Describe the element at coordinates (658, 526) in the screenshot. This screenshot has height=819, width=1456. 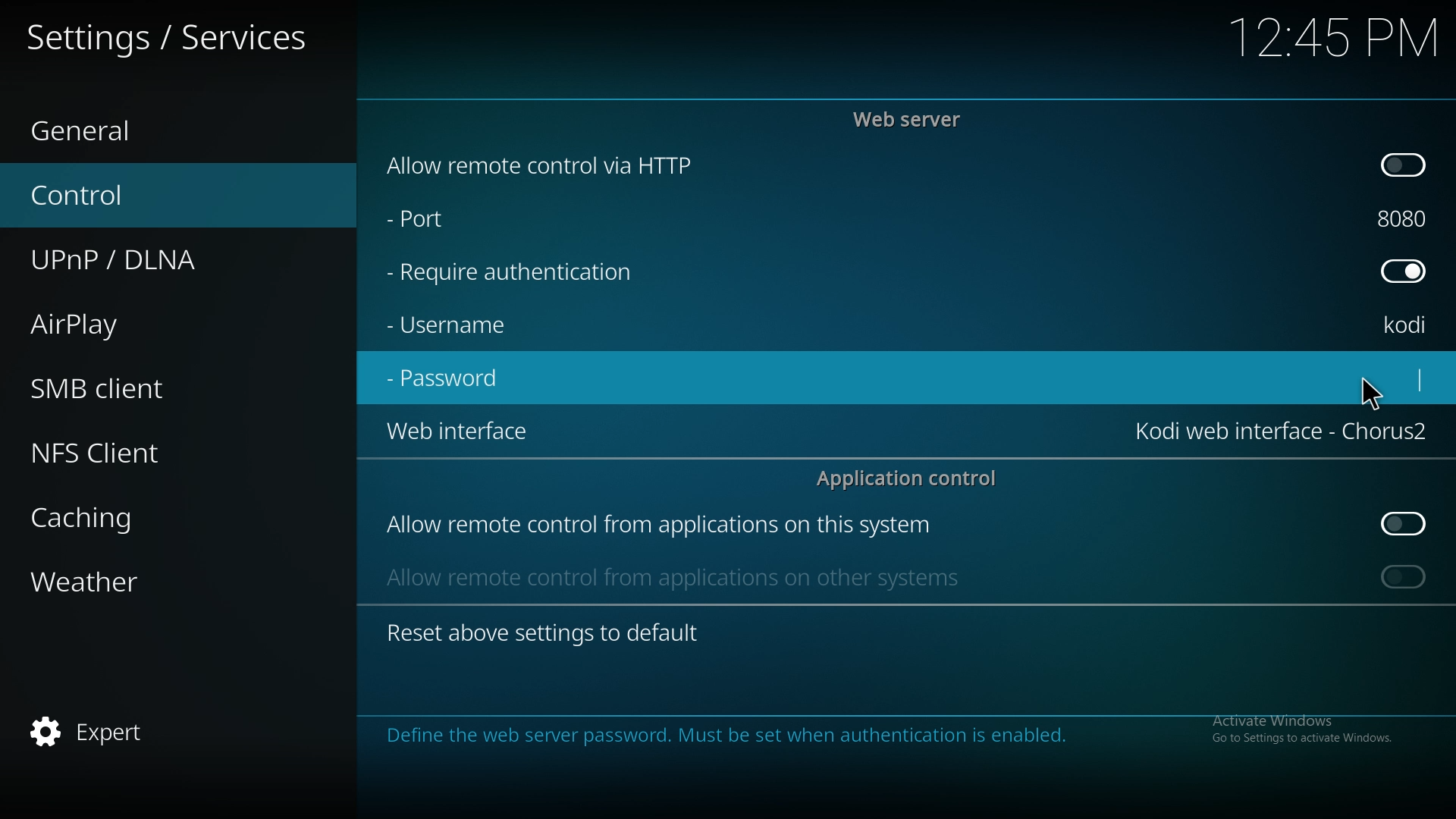
I see `allow remote control` at that location.